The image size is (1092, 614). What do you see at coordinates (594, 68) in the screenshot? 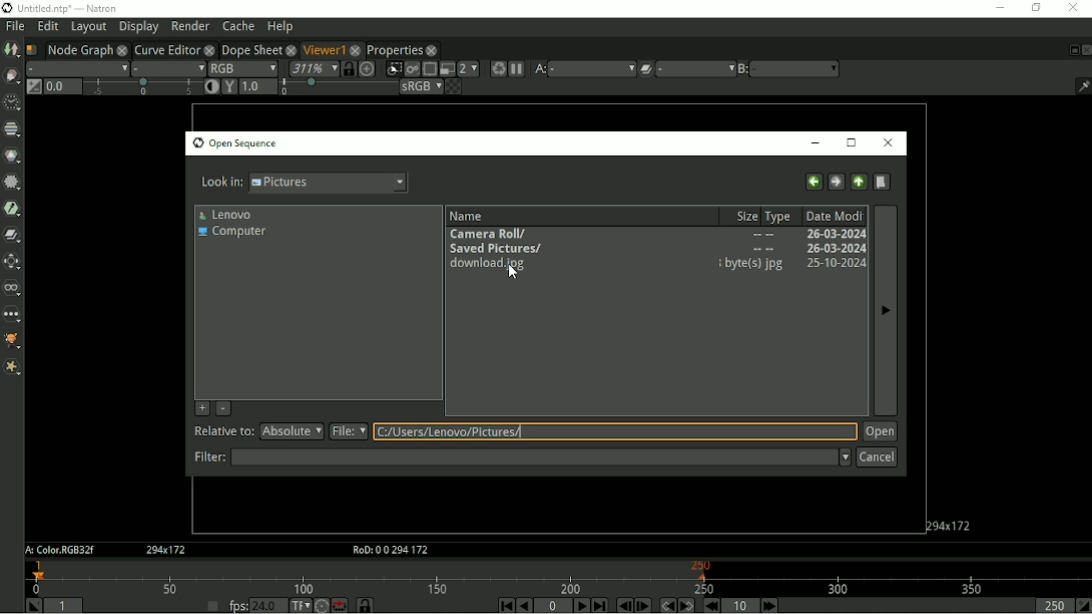
I see `a menu` at bounding box center [594, 68].